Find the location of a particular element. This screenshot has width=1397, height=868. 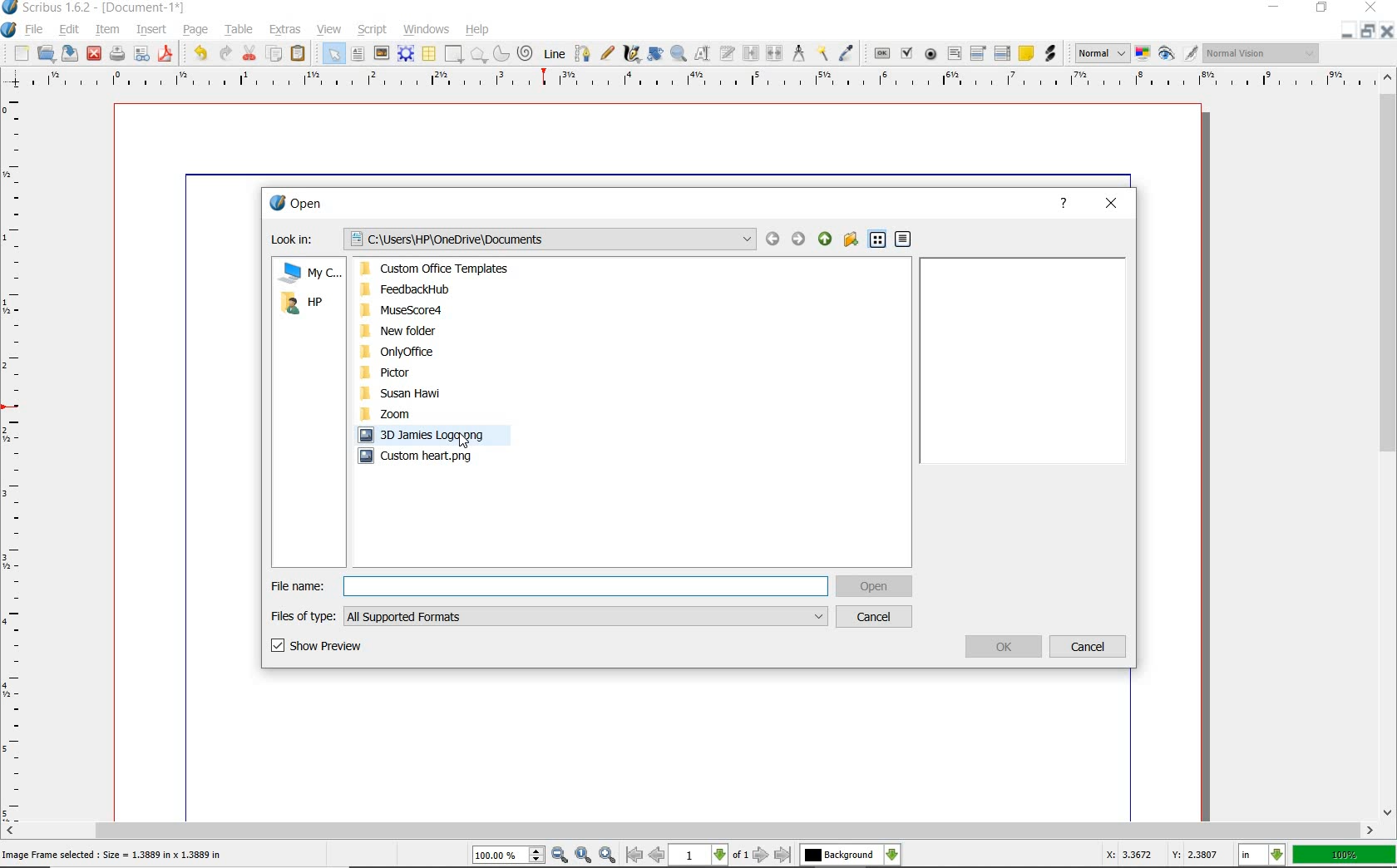

pdf combo box is located at coordinates (979, 53).